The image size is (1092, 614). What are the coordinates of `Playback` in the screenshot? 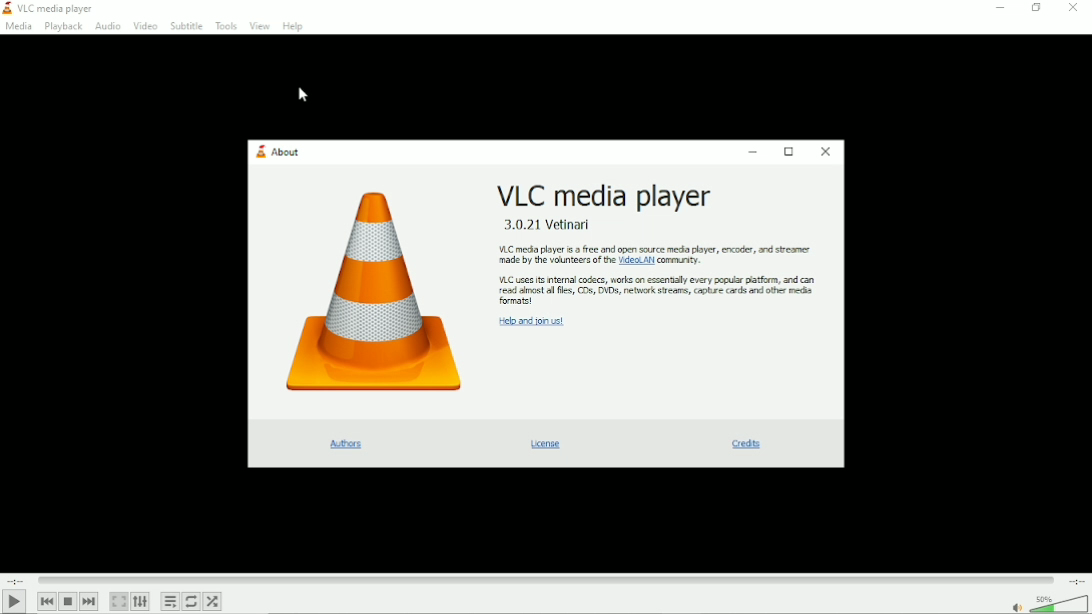 It's located at (62, 27).